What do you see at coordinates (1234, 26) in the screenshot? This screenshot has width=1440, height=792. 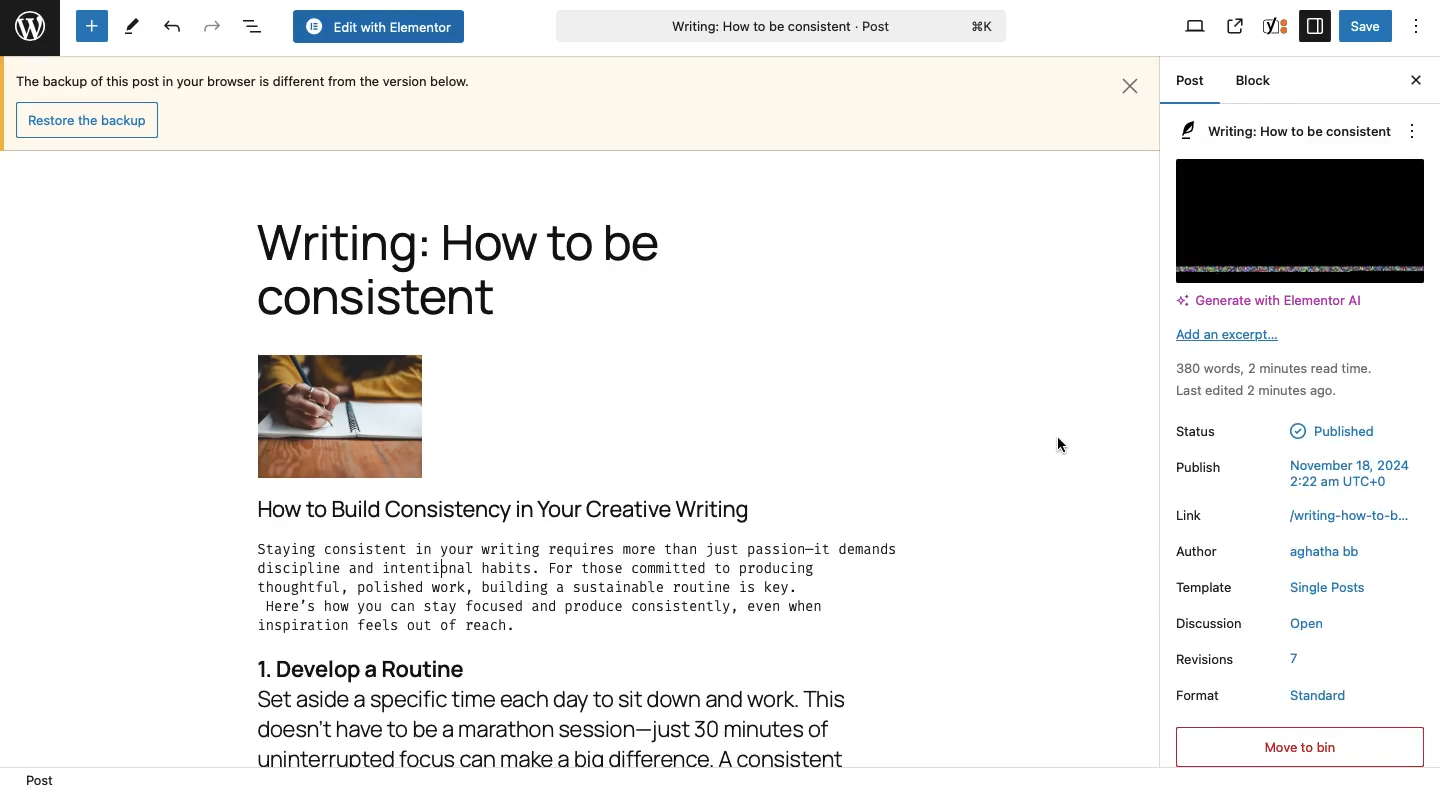 I see `View post` at bounding box center [1234, 26].